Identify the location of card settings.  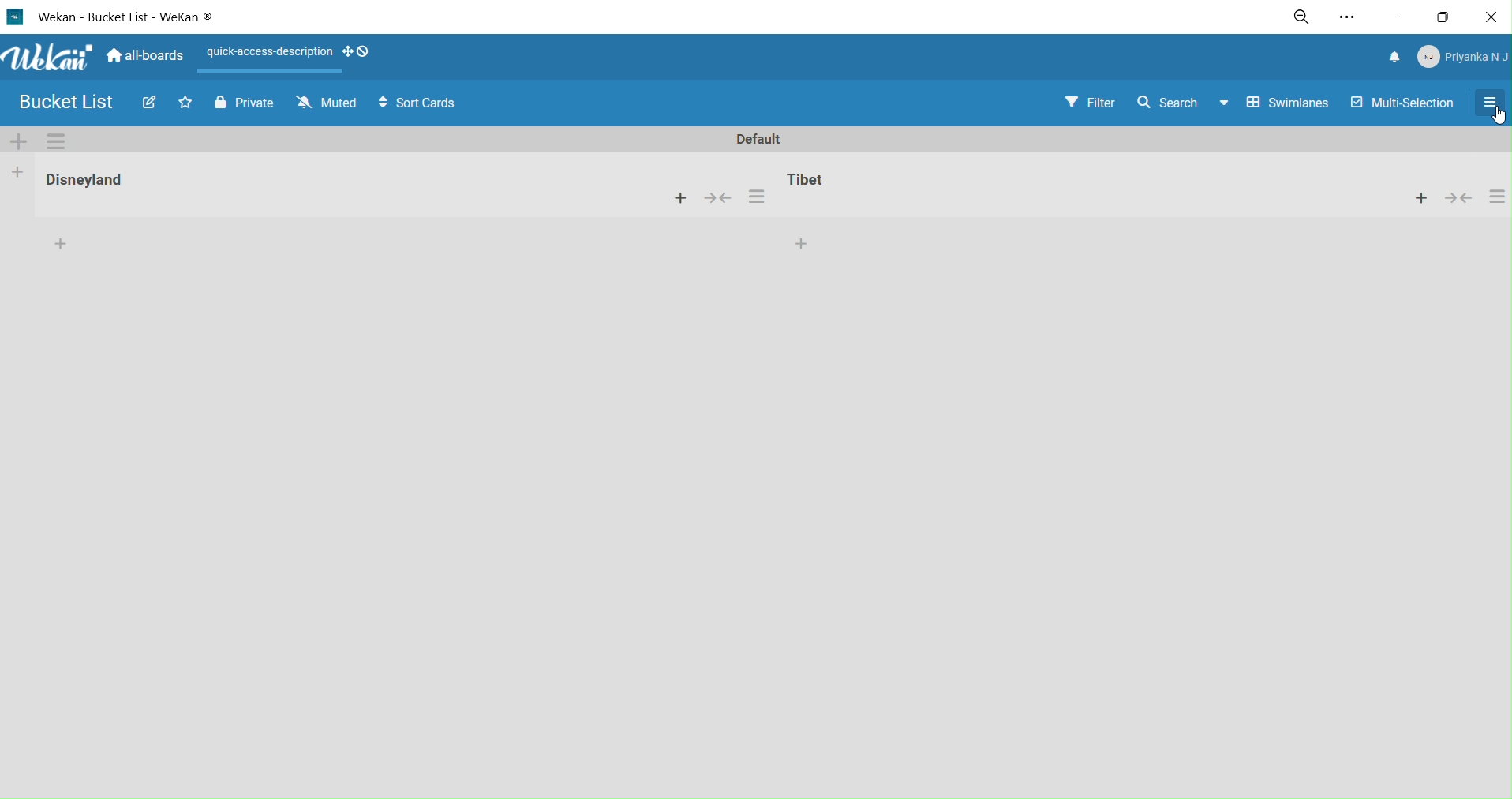
(757, 201).